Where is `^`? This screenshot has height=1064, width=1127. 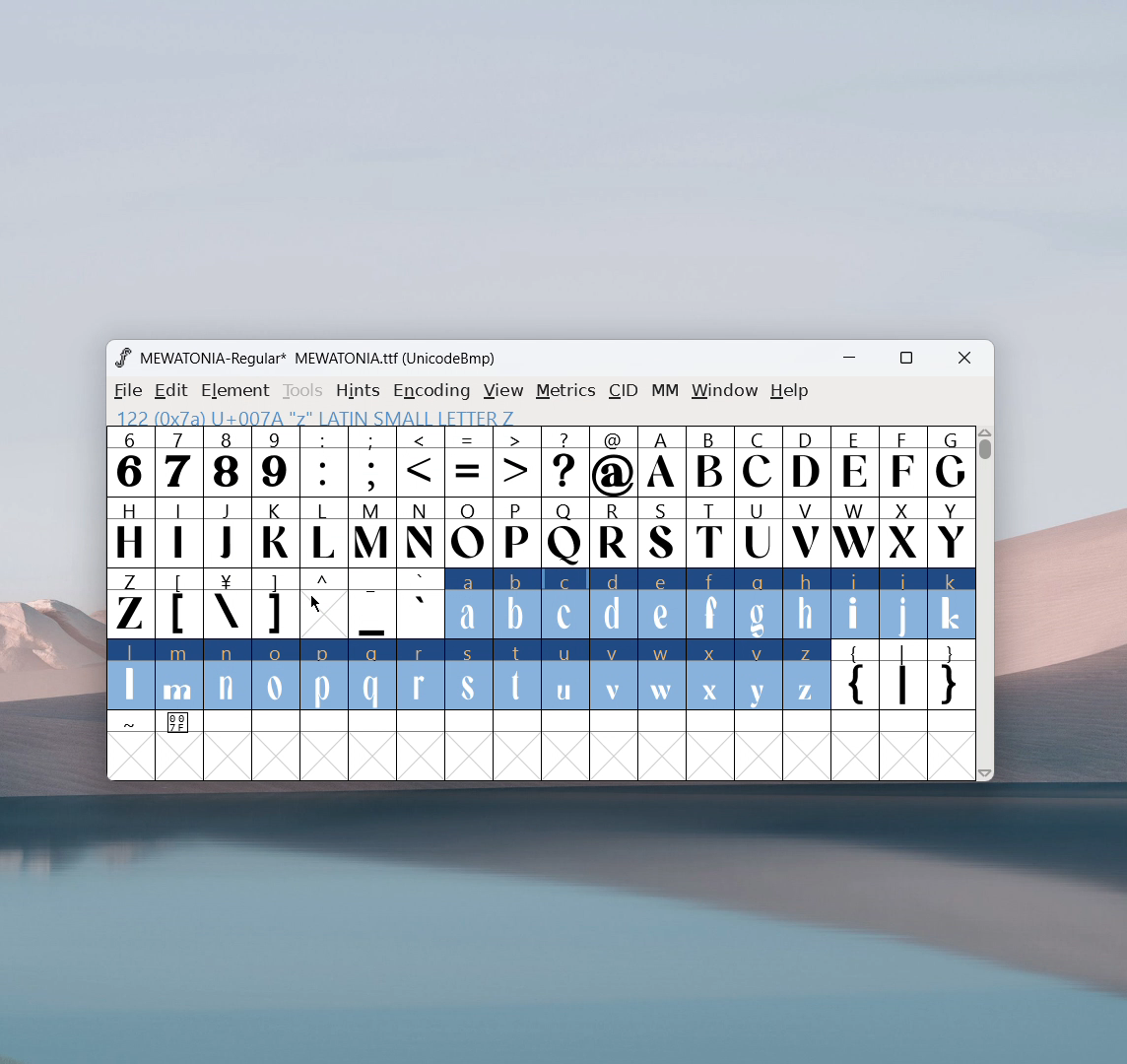 ^ is located at coordinates (323, 604).